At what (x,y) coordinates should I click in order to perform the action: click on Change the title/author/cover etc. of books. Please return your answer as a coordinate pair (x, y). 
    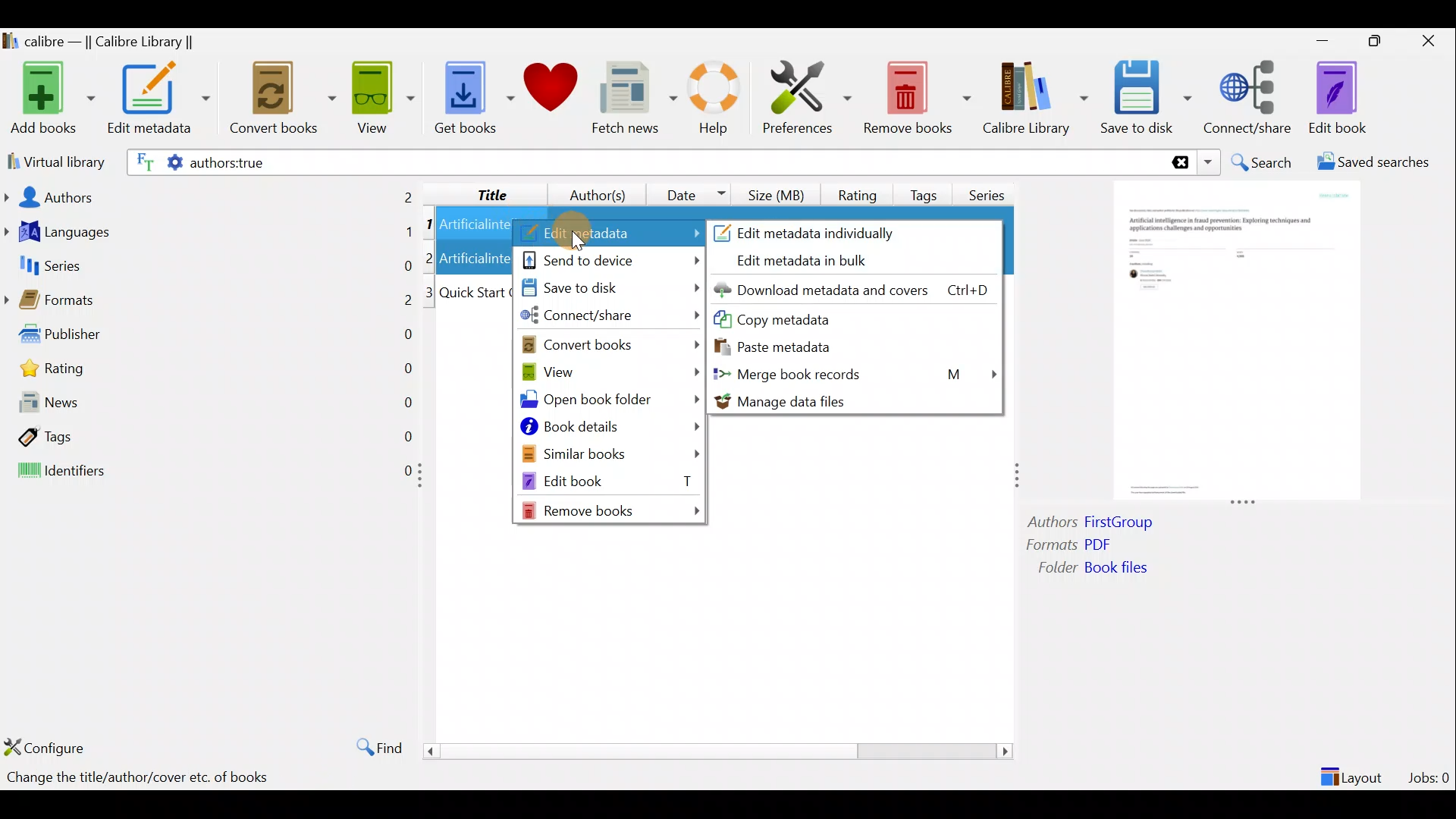
    Looking at the image, I should click on (137, 779).